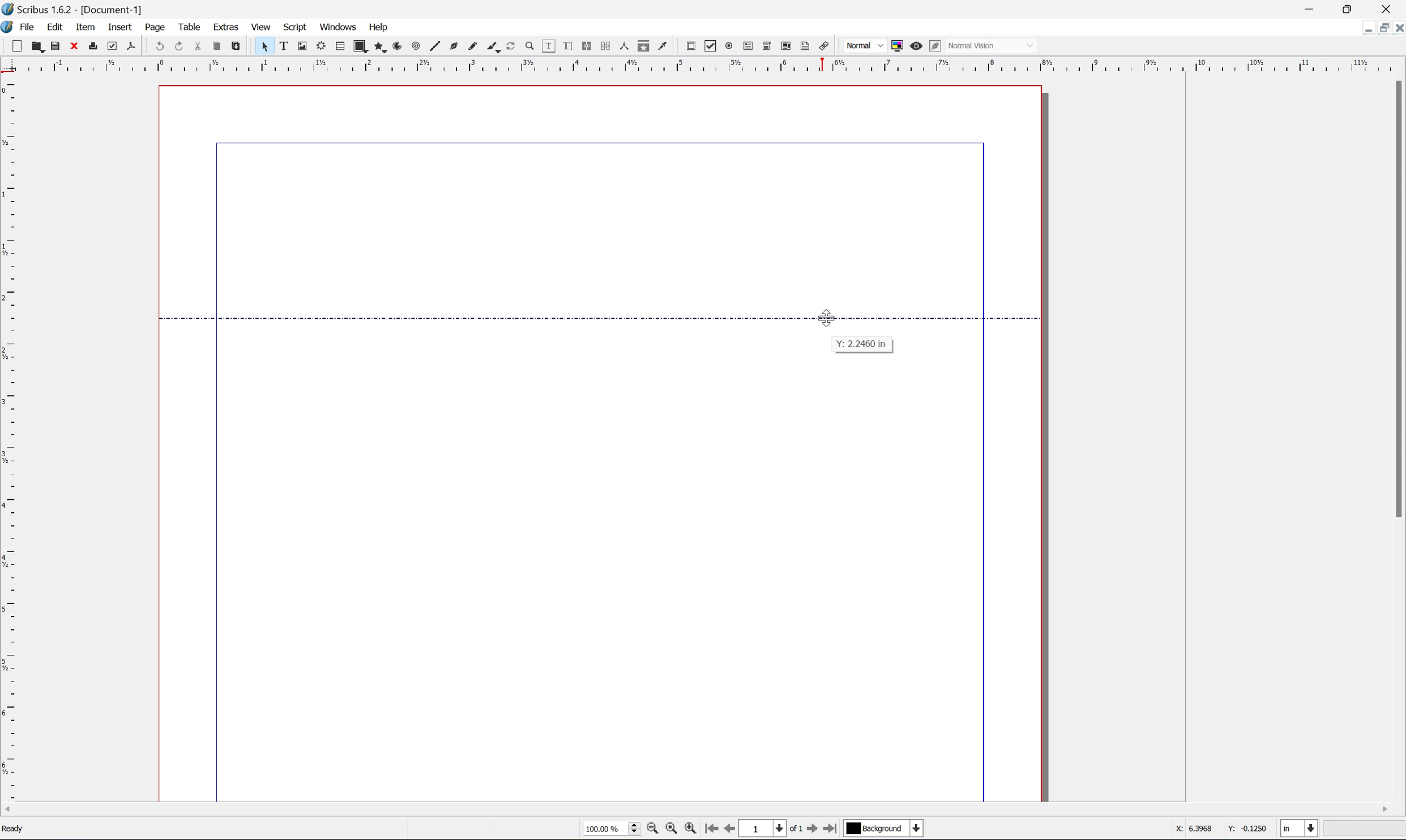  I want to click on preview mode, so click(916, 45).